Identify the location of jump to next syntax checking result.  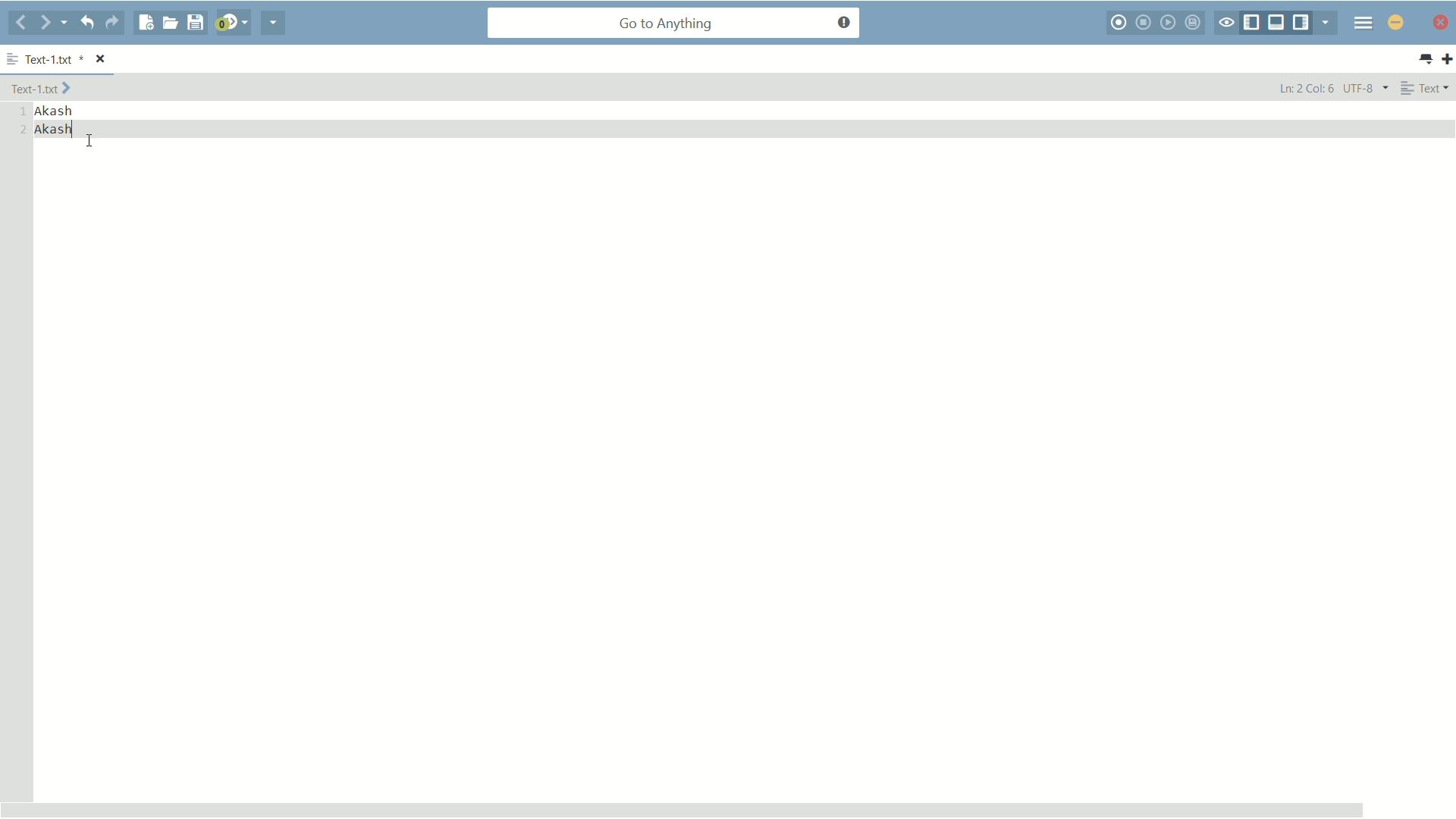
(233, 24).